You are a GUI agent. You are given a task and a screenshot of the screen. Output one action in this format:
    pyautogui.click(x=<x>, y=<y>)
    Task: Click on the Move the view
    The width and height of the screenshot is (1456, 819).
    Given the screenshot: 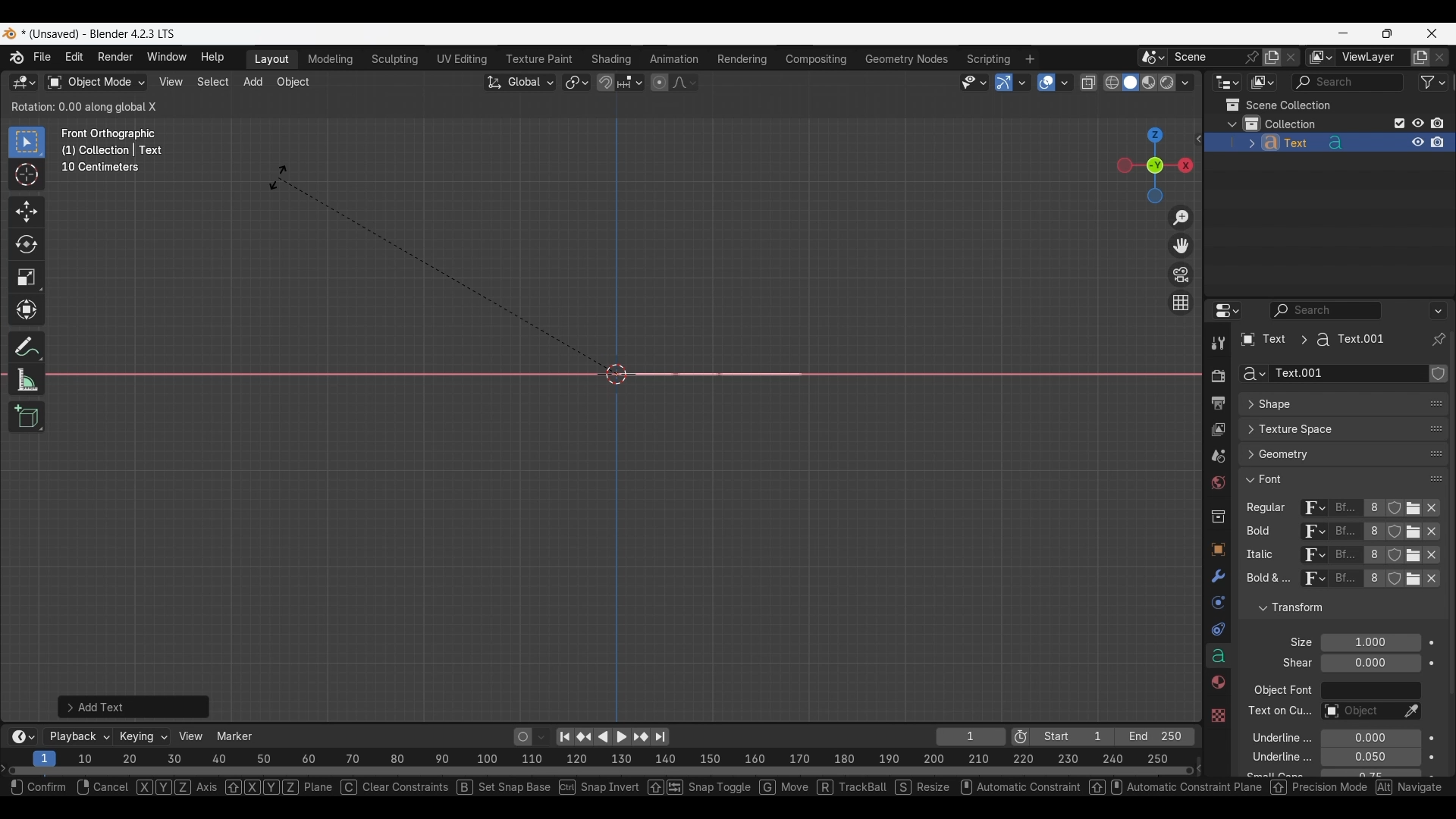 What is the action you would take?
    pyautogui.click(x=1182, y=246)
    